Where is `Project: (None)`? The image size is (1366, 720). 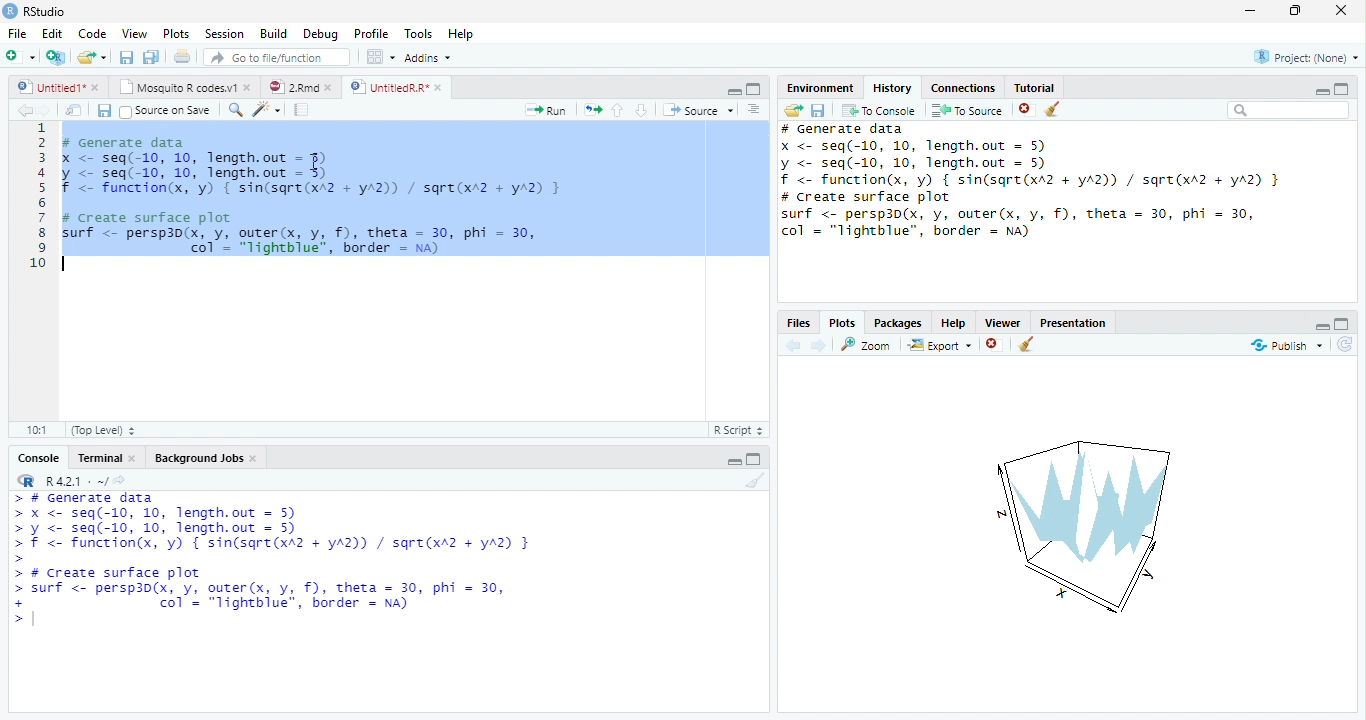 Project: (None) is located at coordinates (1306, 57).